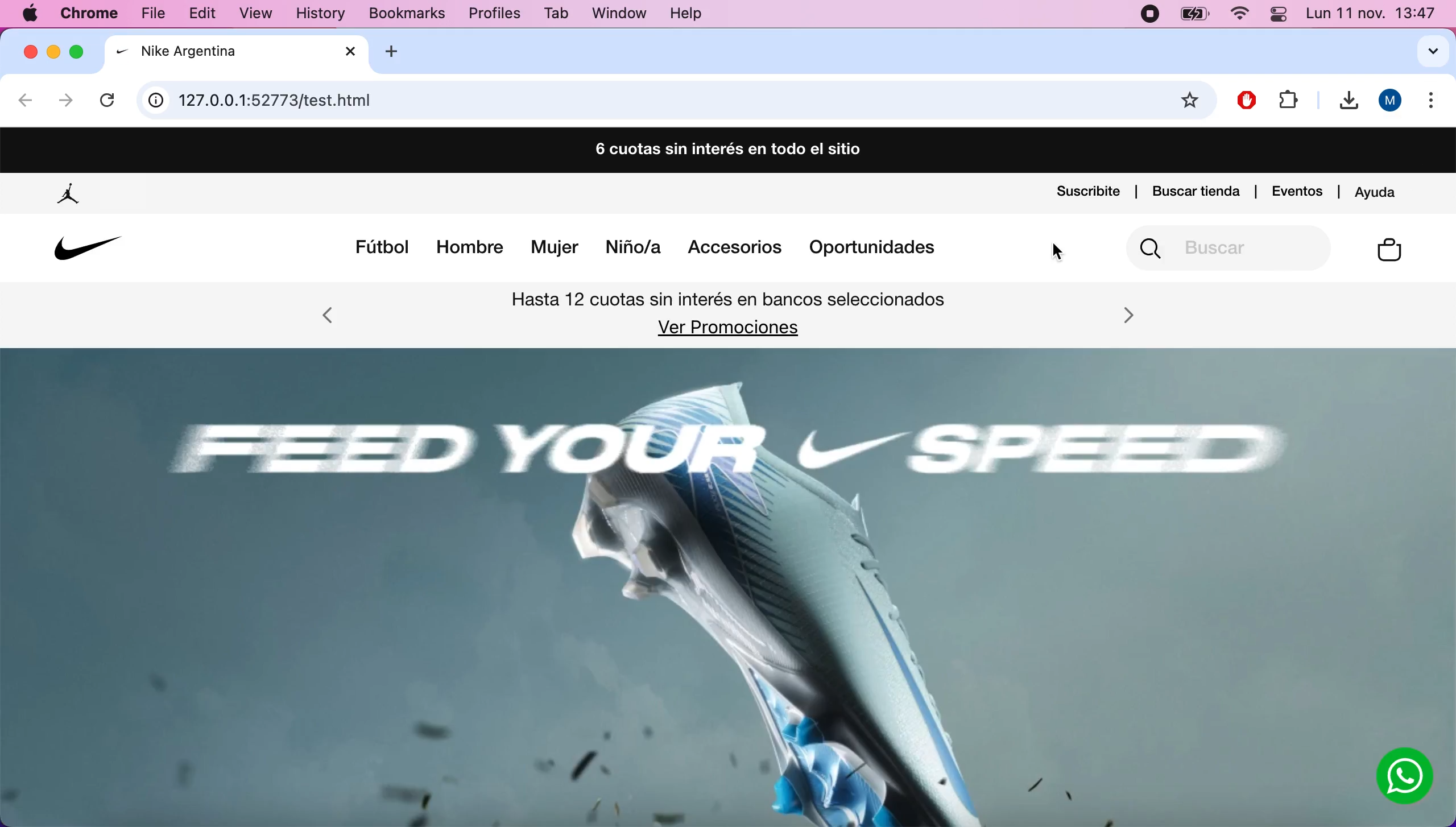 The image size is (1456, 827). What do you see at coordinates (208, 13) in the screenshot?
I see `edit` at bounding box center [208, 13].